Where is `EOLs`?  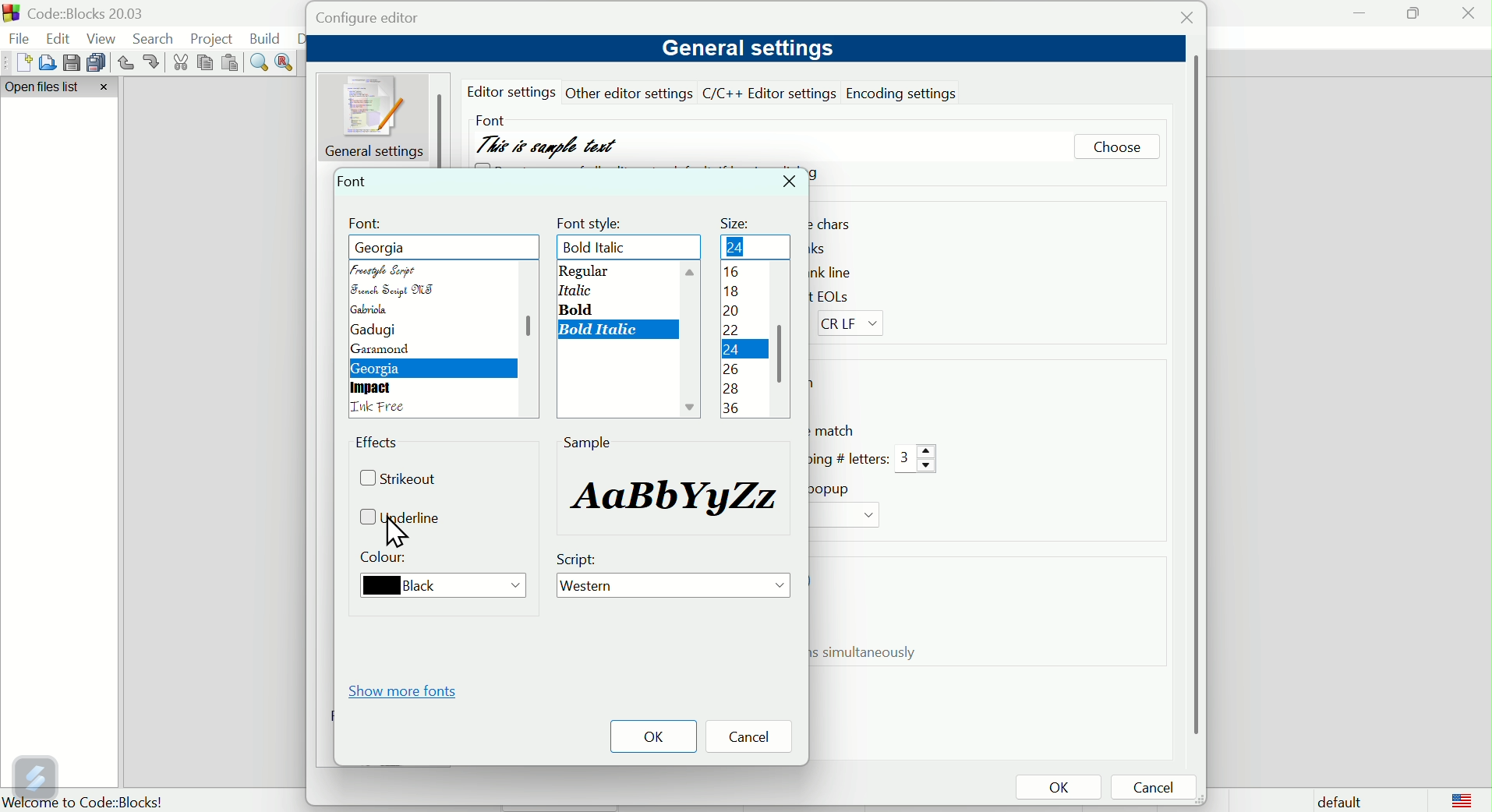
EOLs is located at coordinates (843, 295).